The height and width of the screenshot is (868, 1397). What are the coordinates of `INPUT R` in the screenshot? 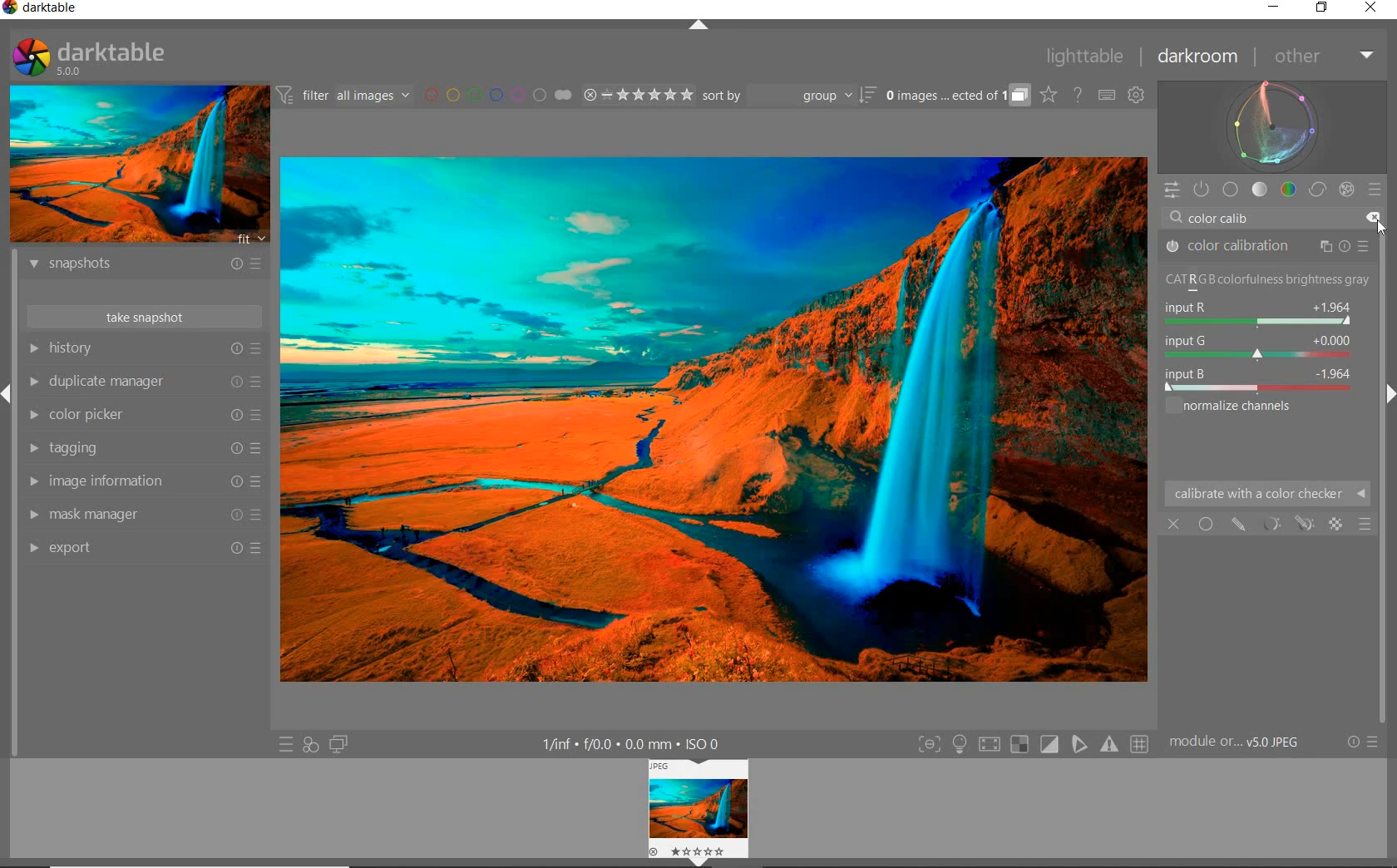 It's located at (1256, 313).